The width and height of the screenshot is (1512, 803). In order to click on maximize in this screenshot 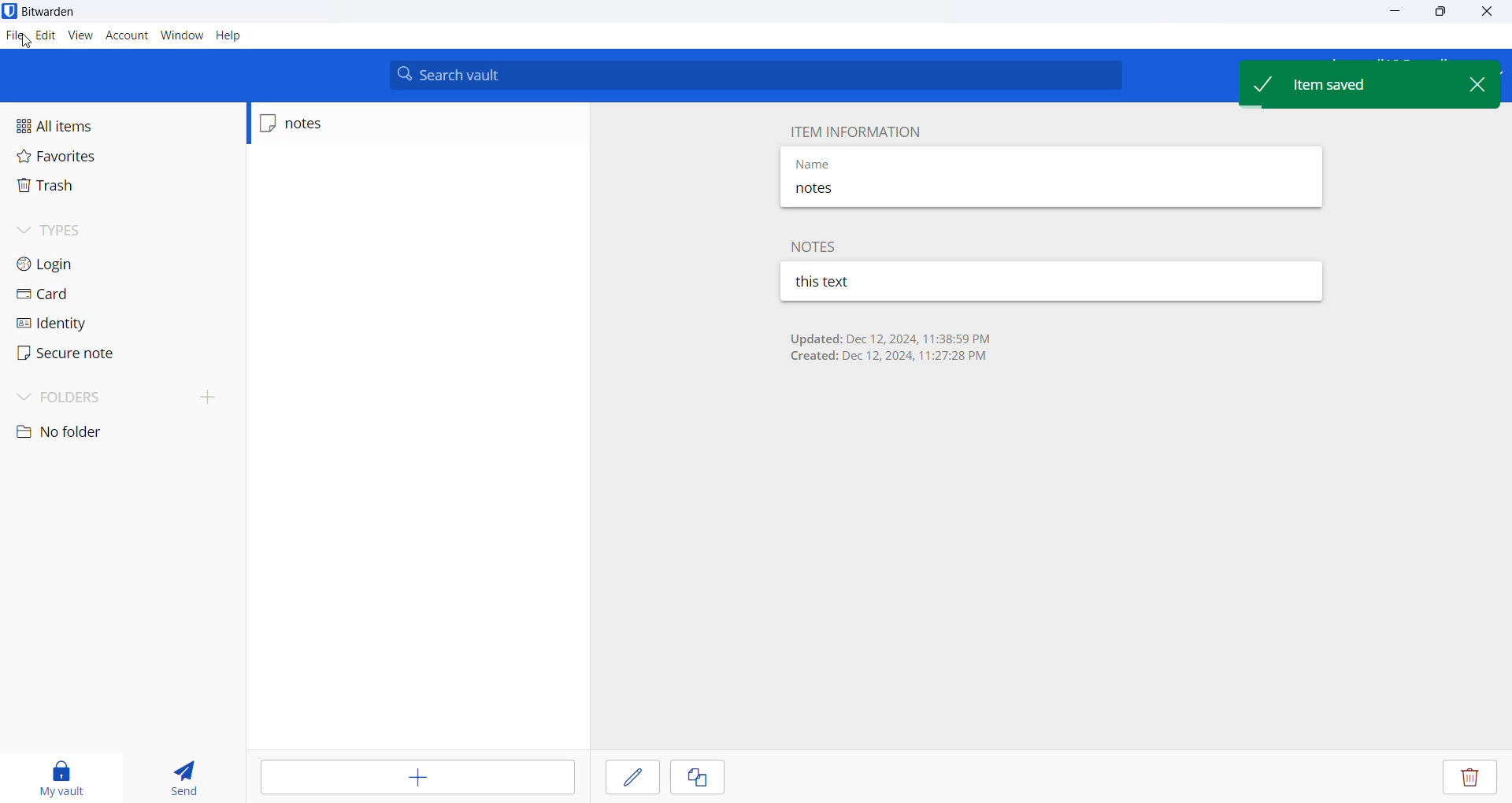, I will do `click(1434, 12)`.